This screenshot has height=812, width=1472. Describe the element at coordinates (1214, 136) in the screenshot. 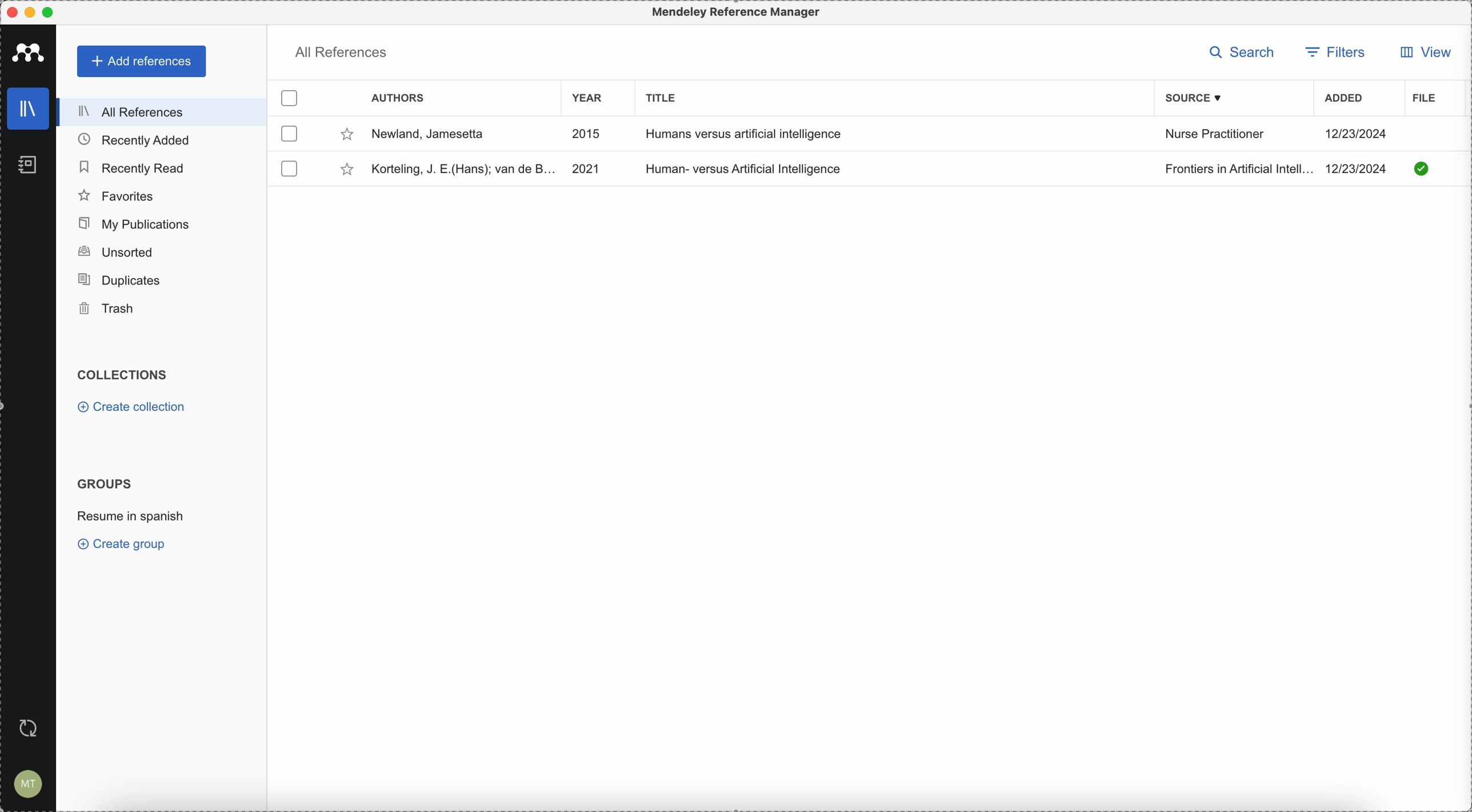

I see `Nurse Practitioner` at that location.